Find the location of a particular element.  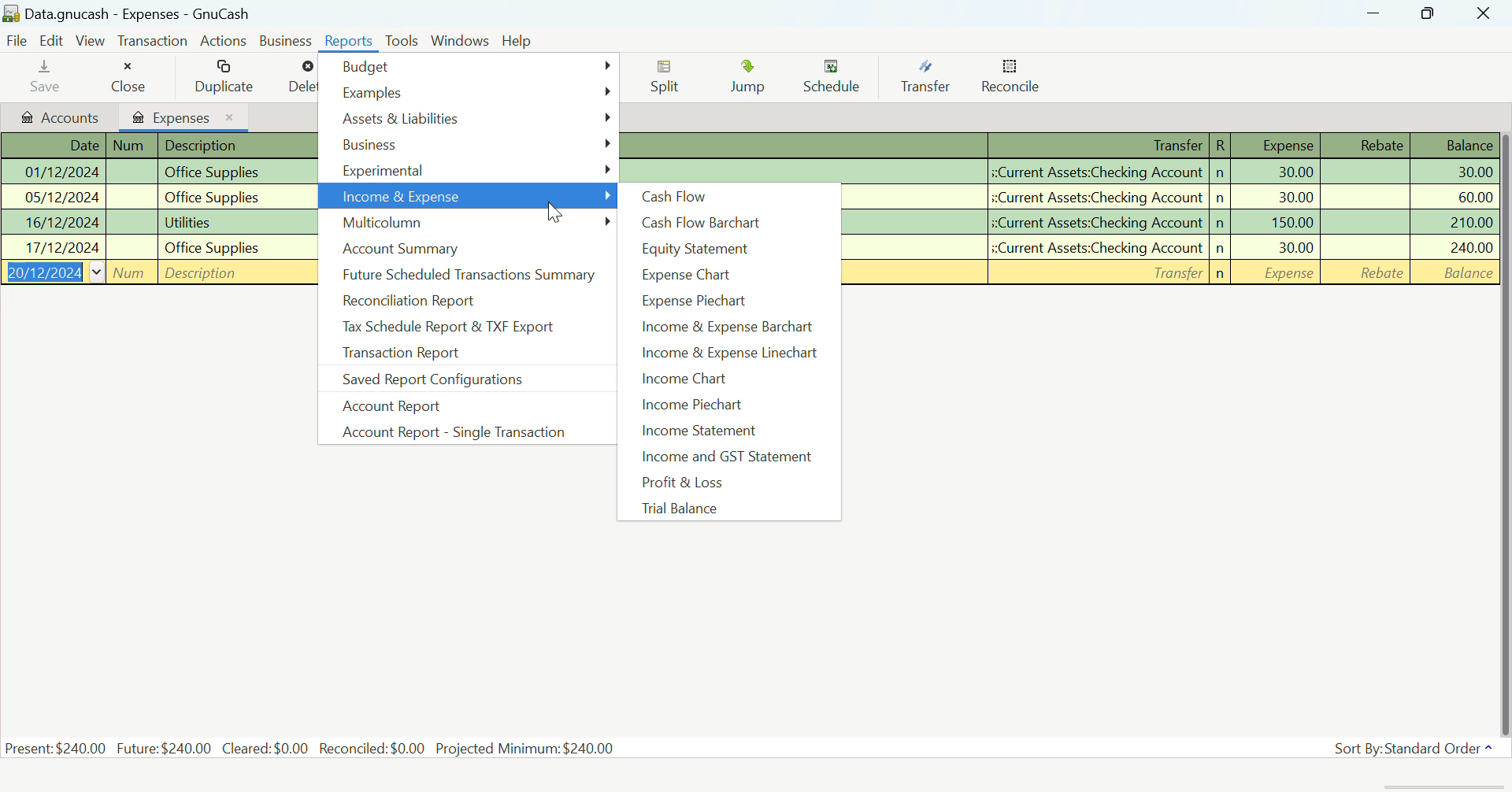

Office Supplies Transaction is located at coordinates (153, 174).